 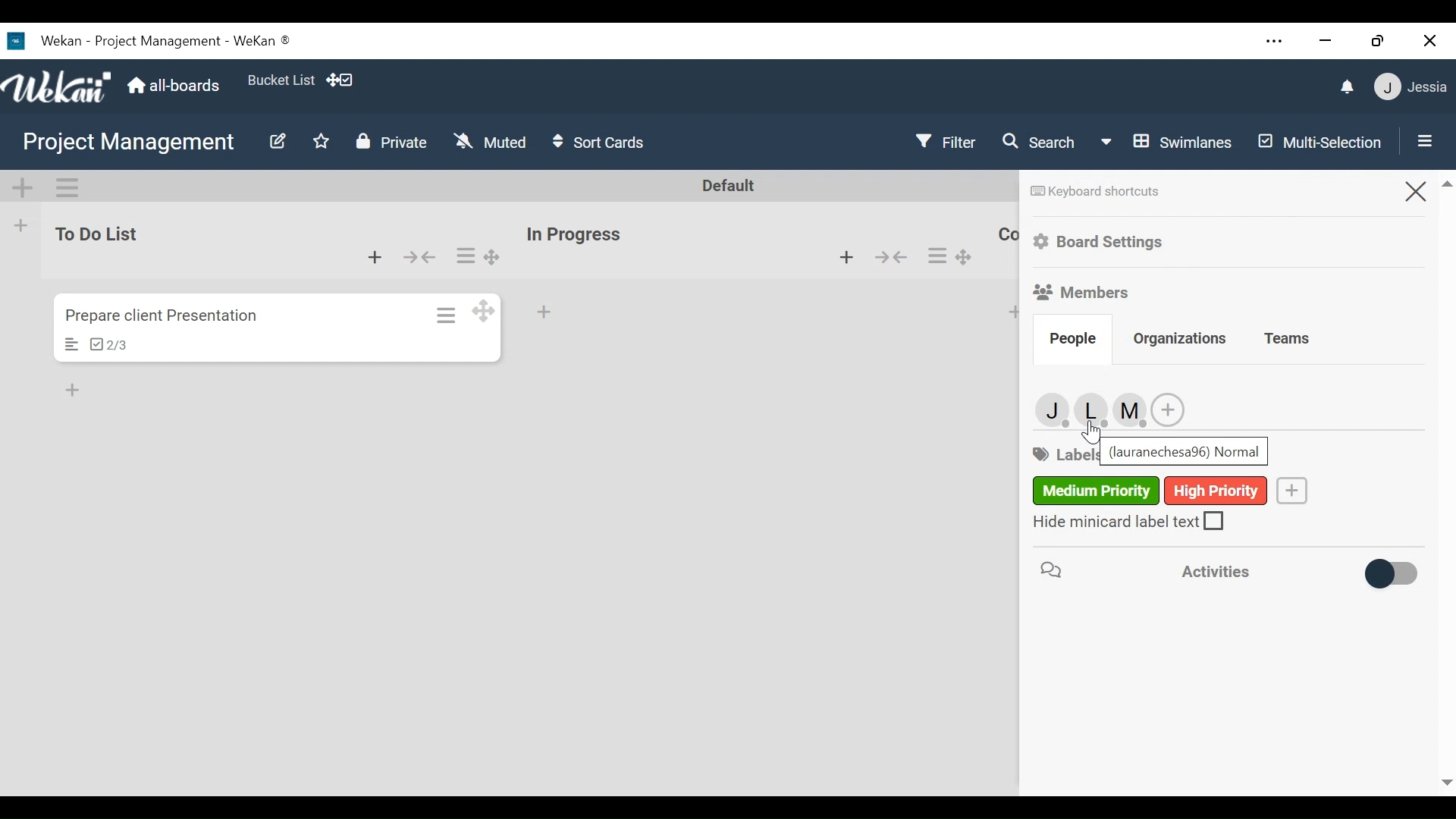 What do you see at coordinates (1158, 573) in the screenshot?
I see `Activities` at bounding box center [1158, 573].